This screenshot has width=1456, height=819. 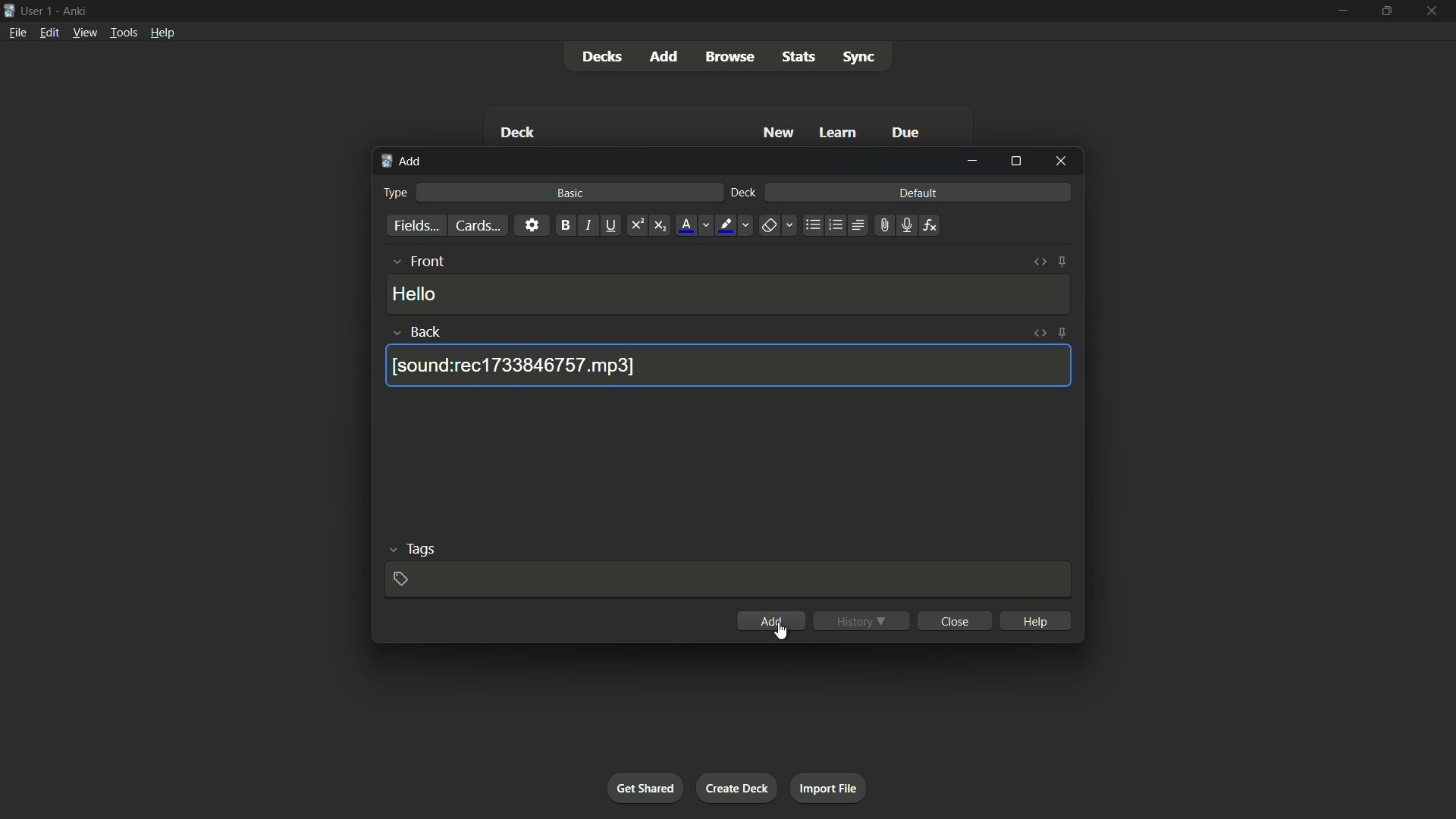 What do you see at coordinates (736, 226) in the screenshot?
I see `highlight text` at bounding box center [736, 226].